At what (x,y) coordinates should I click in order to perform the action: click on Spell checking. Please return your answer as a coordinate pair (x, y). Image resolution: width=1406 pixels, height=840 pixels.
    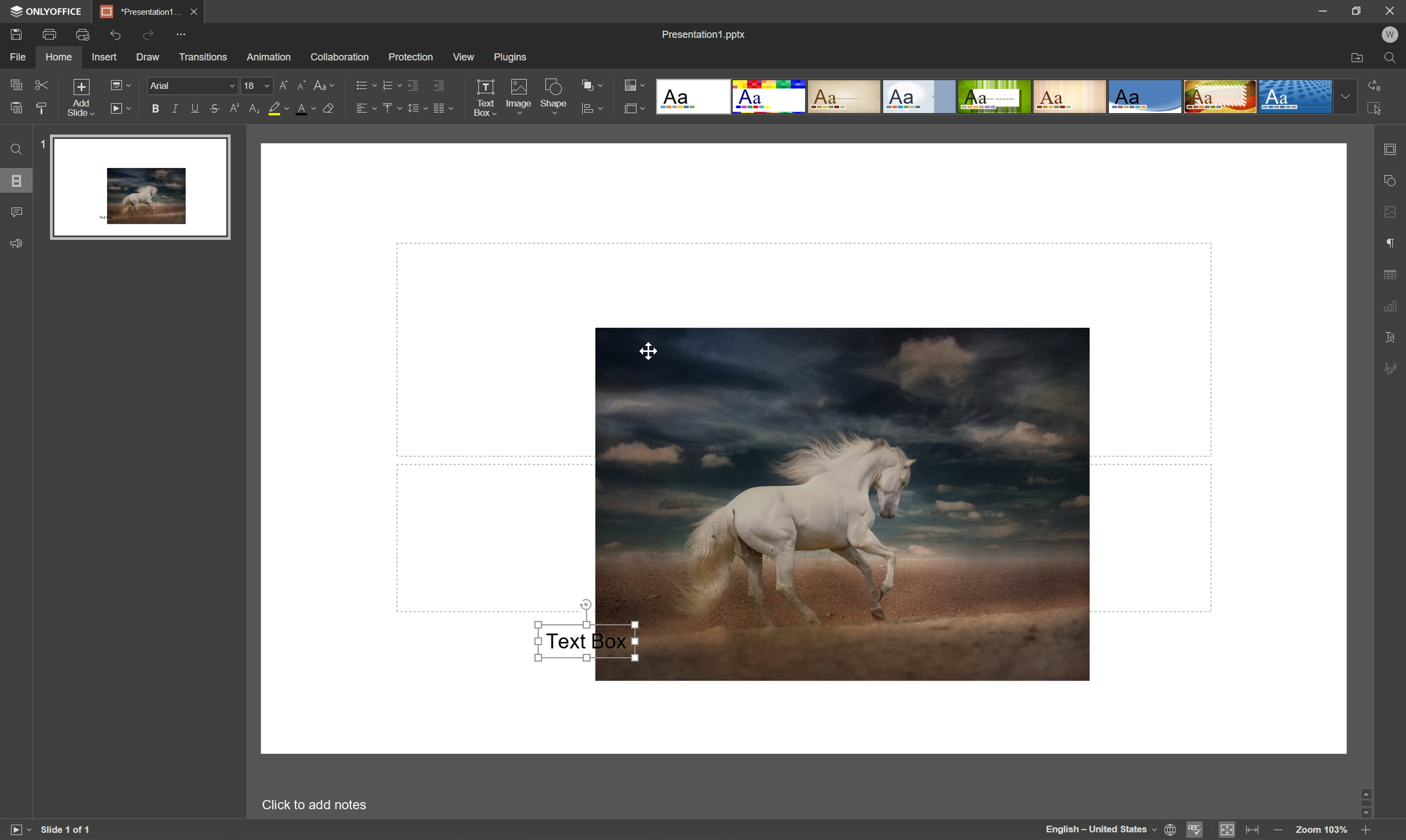
    Looking at the image, I should click on (1194, 829).